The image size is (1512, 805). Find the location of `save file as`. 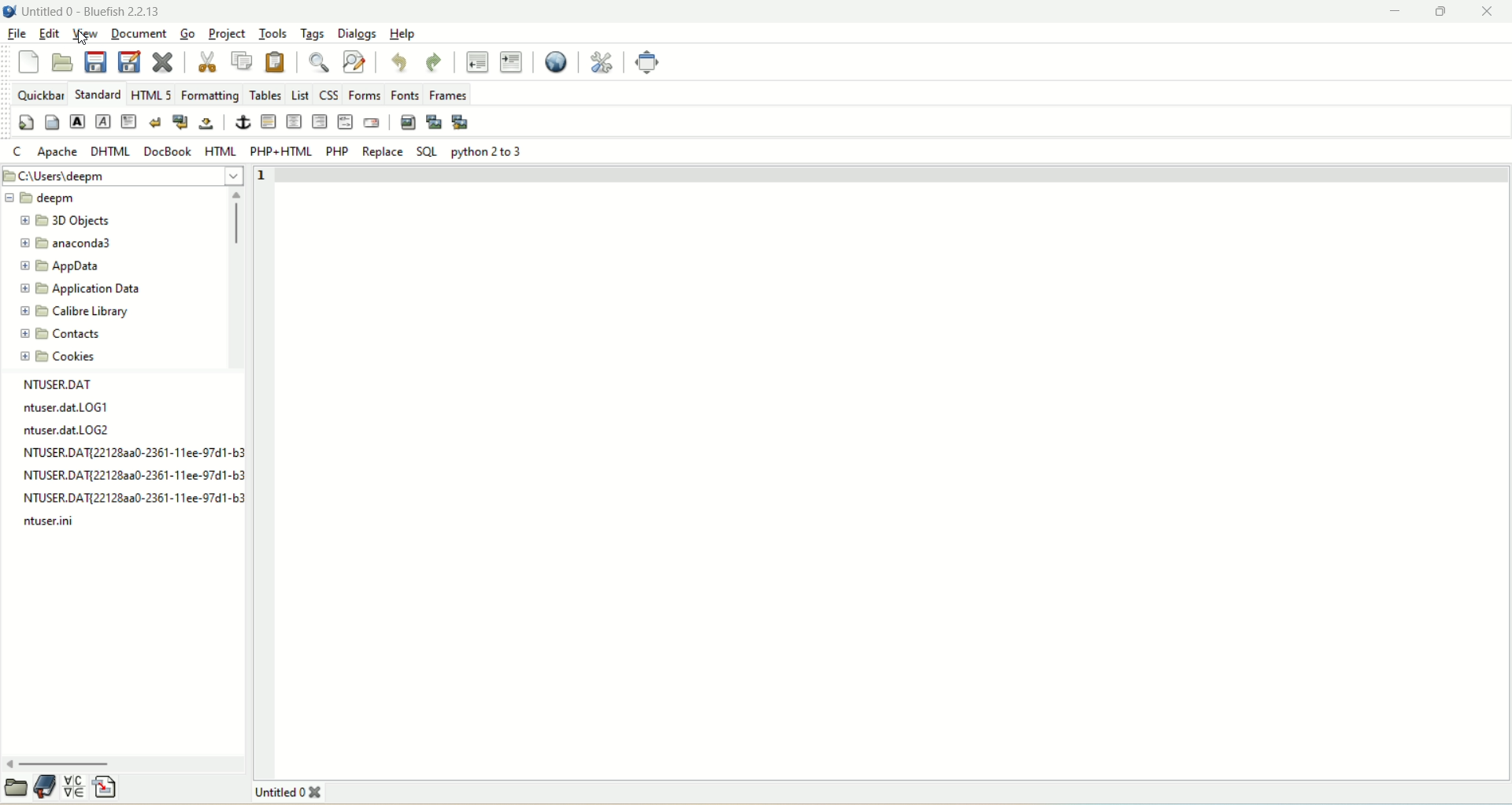

save file as is located at coordinates (128, 62).